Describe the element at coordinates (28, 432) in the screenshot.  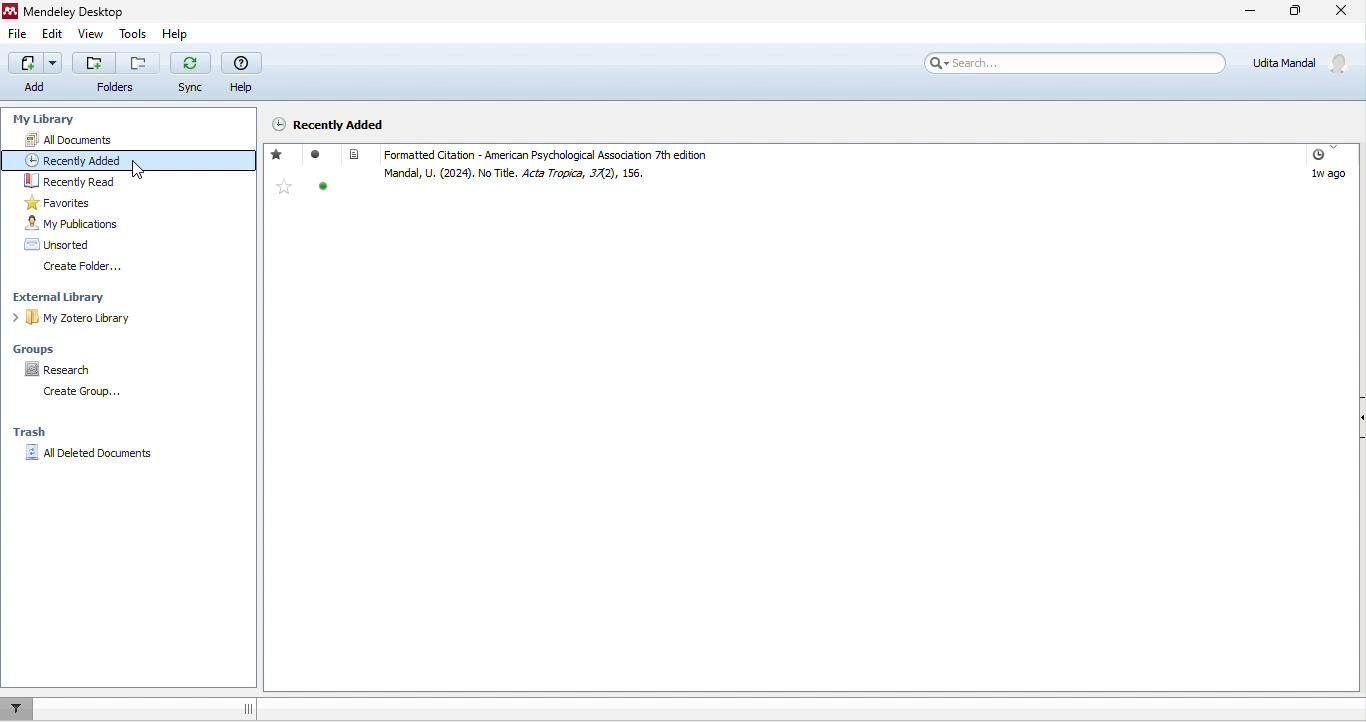
I see `Trash` at that location.